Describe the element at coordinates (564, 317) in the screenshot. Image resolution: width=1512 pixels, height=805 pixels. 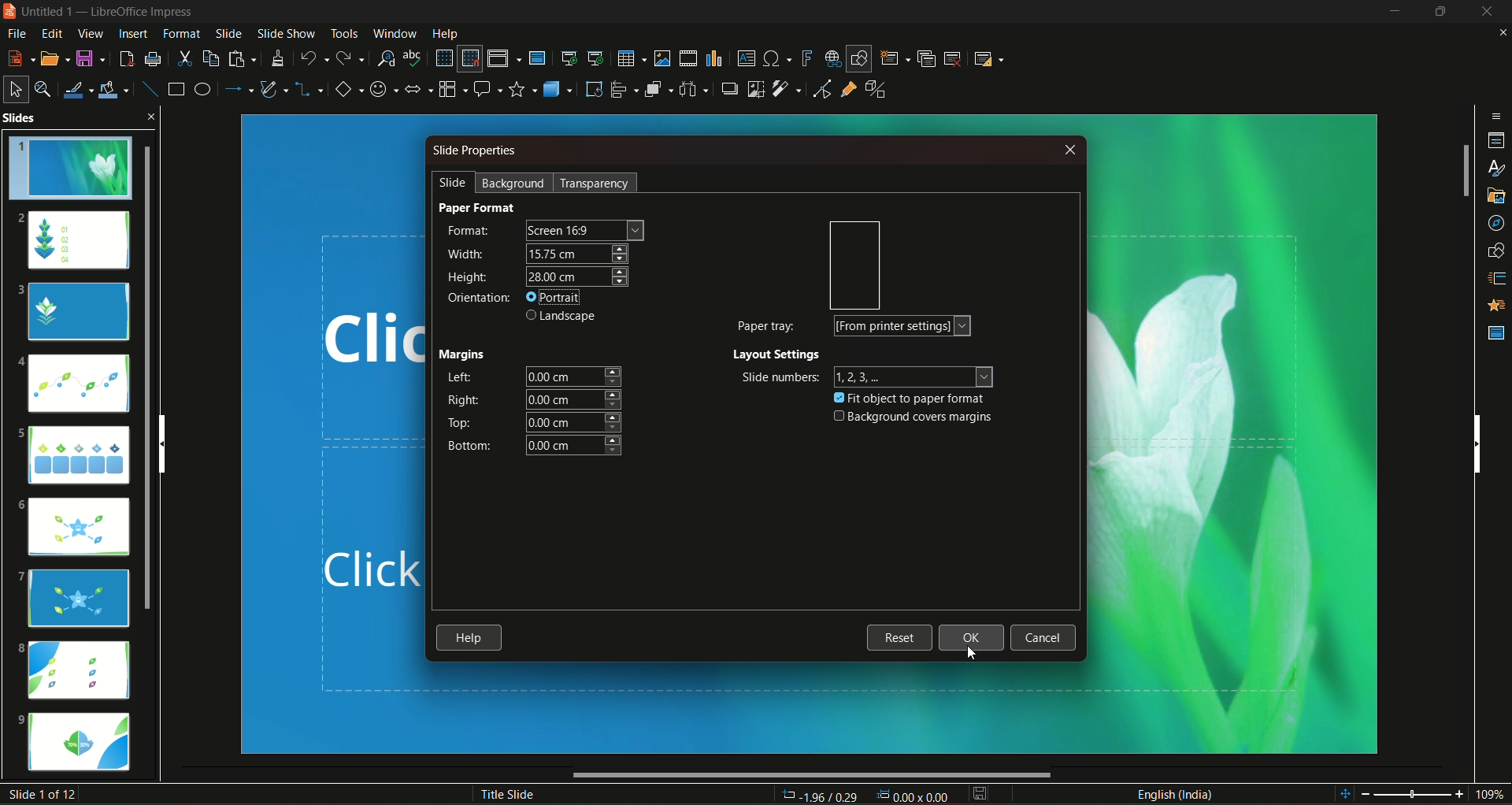
I see `landscape` at that location.